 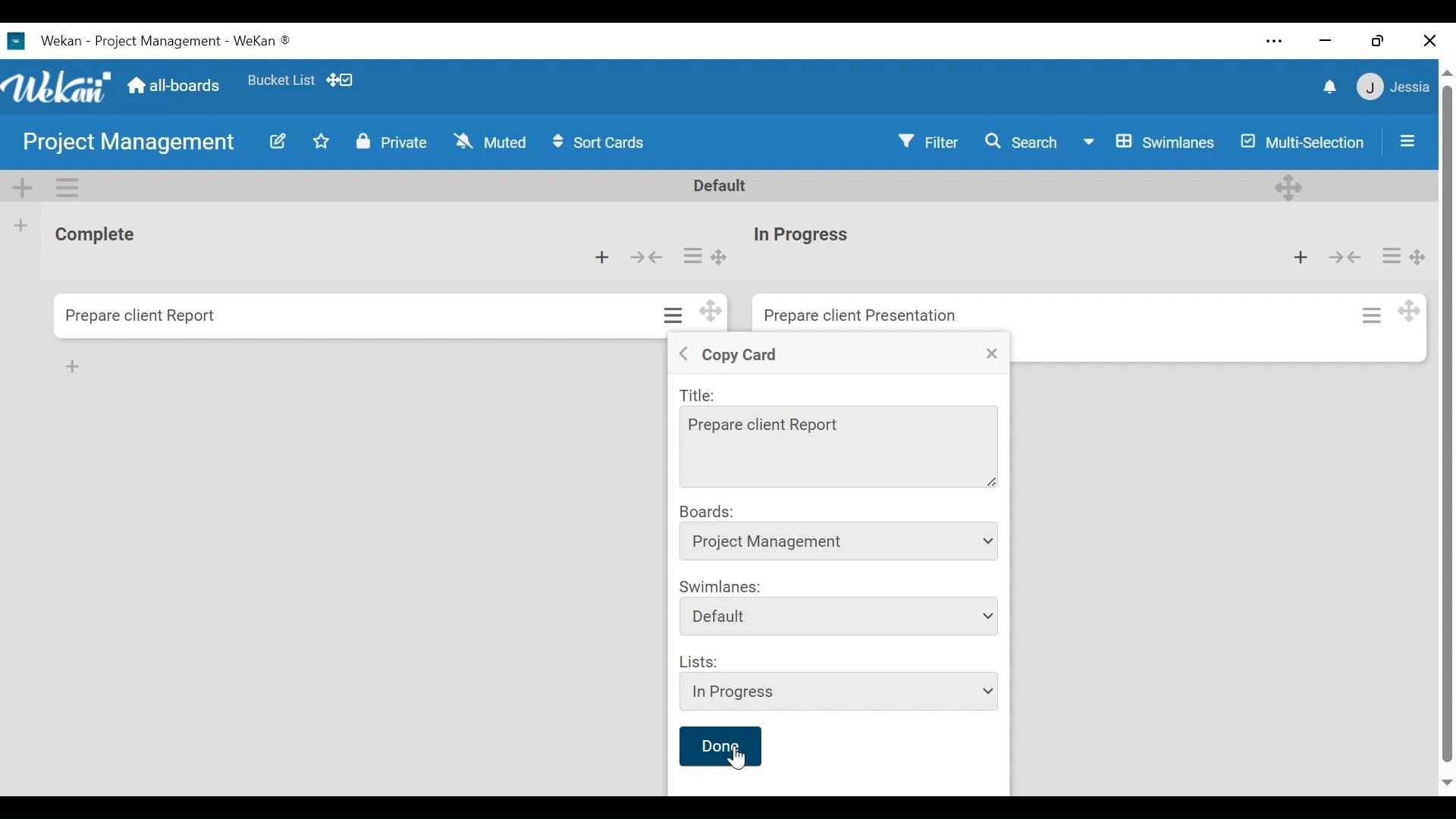 I want to click on Title, so click(x=702, y=394).